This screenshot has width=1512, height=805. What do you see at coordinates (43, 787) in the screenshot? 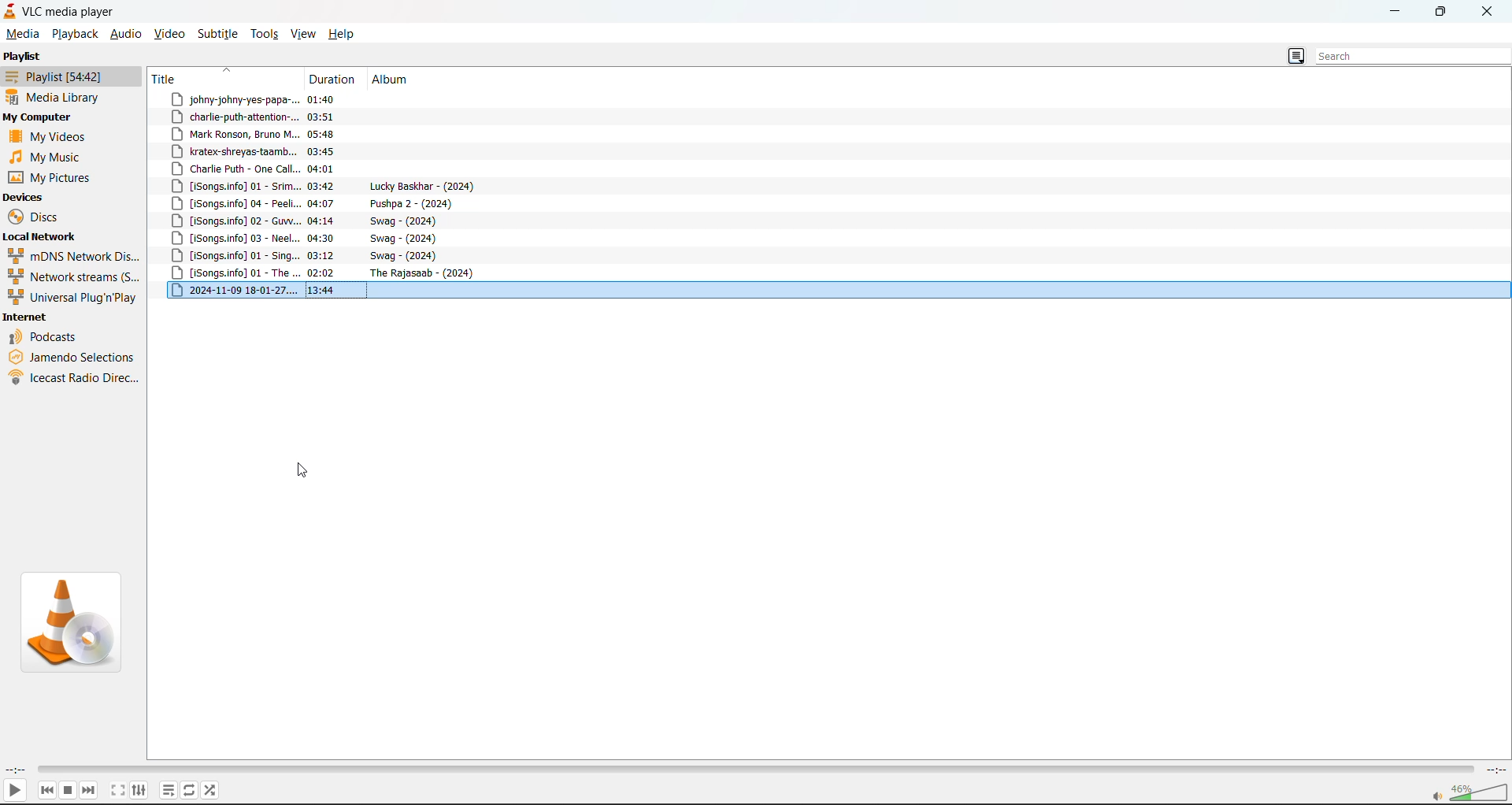
I see `previous` at bounding box center [43, 787].